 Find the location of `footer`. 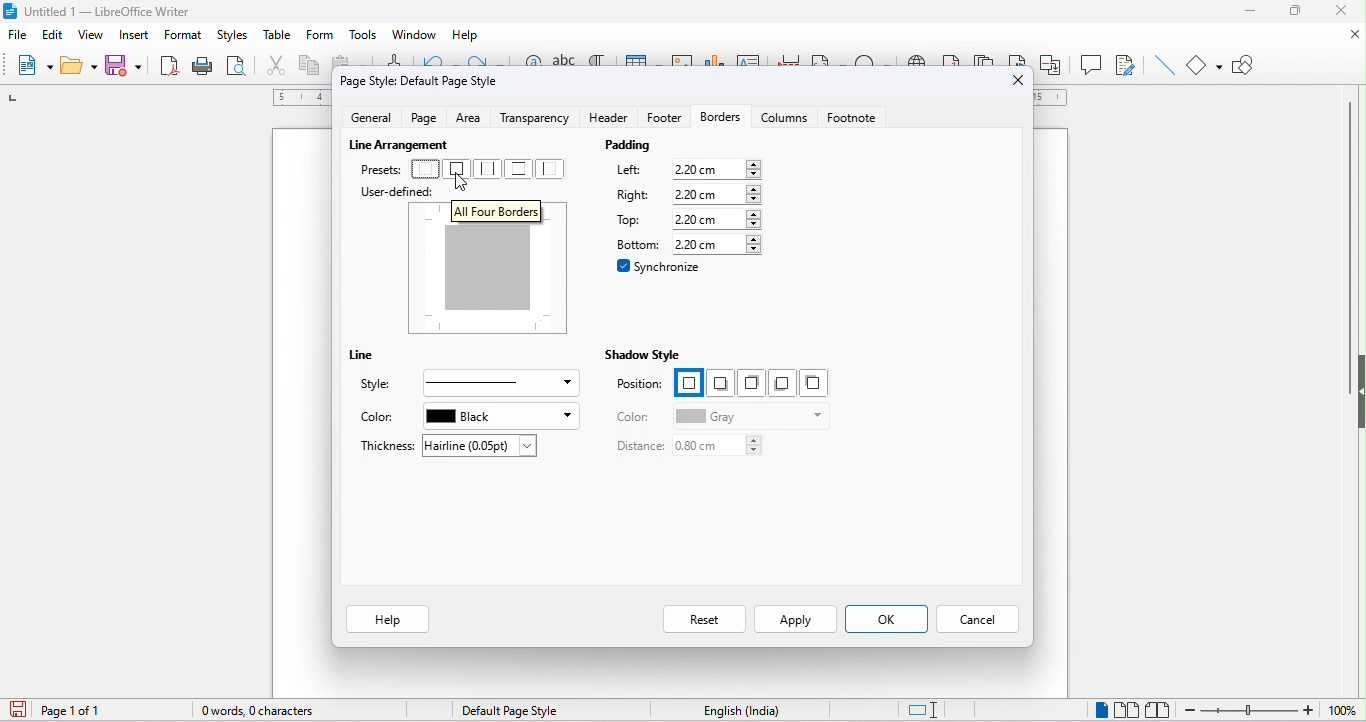

footer is located at coordinates (660, 123).